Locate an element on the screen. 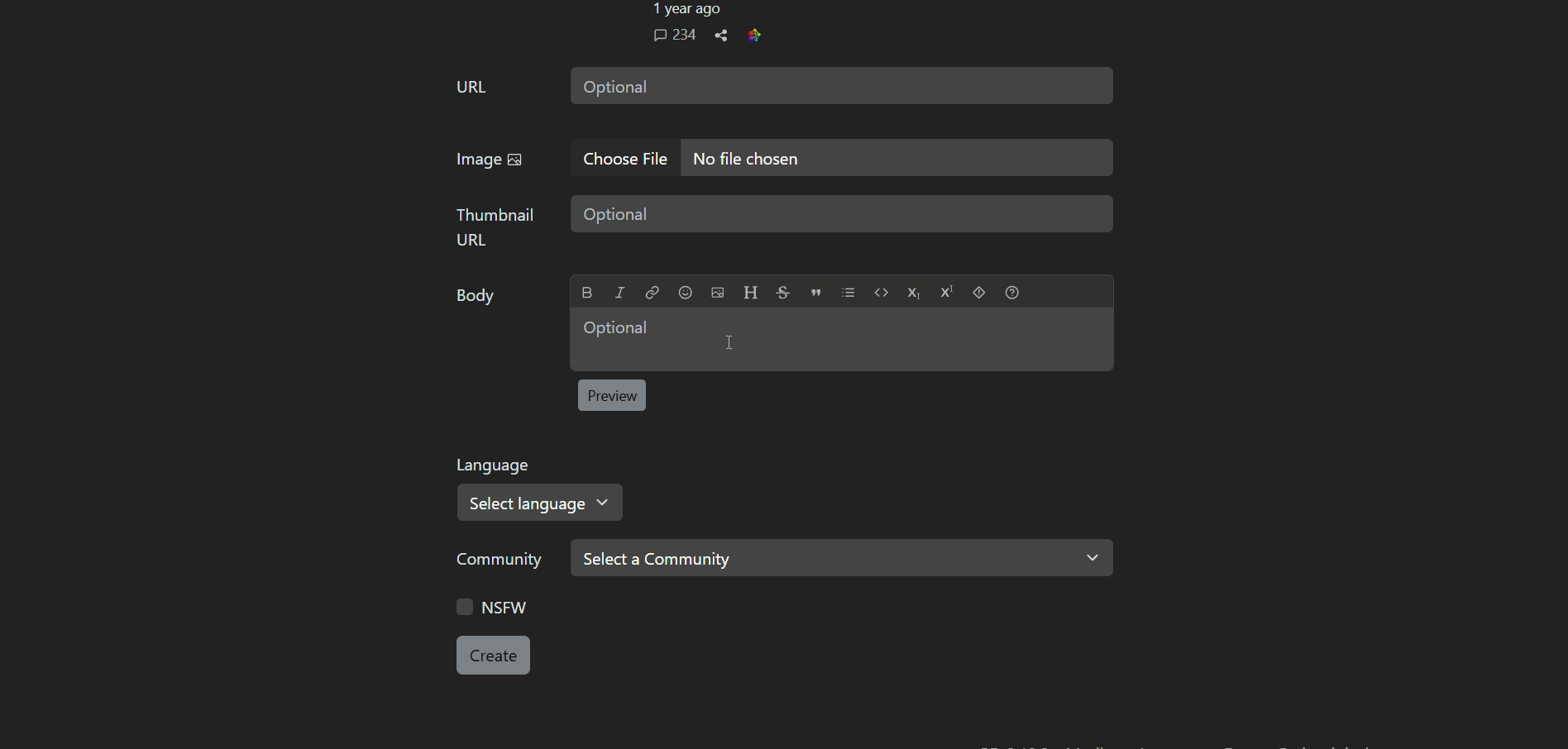 The width and height of the screenshot is (1568, 749). select a community is located at coordinates (843, 559).